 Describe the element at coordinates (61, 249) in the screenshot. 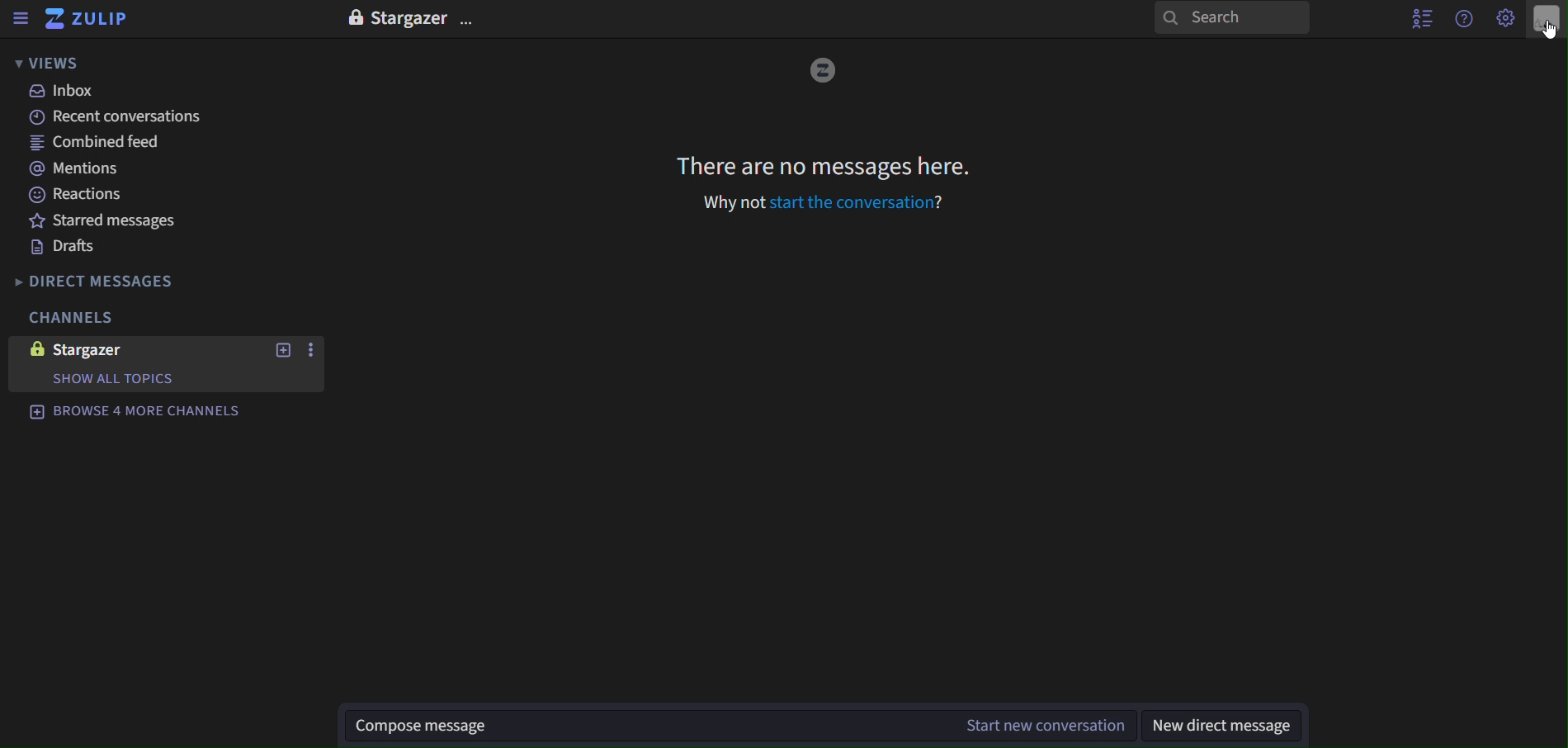

I see `drafts` at that location.